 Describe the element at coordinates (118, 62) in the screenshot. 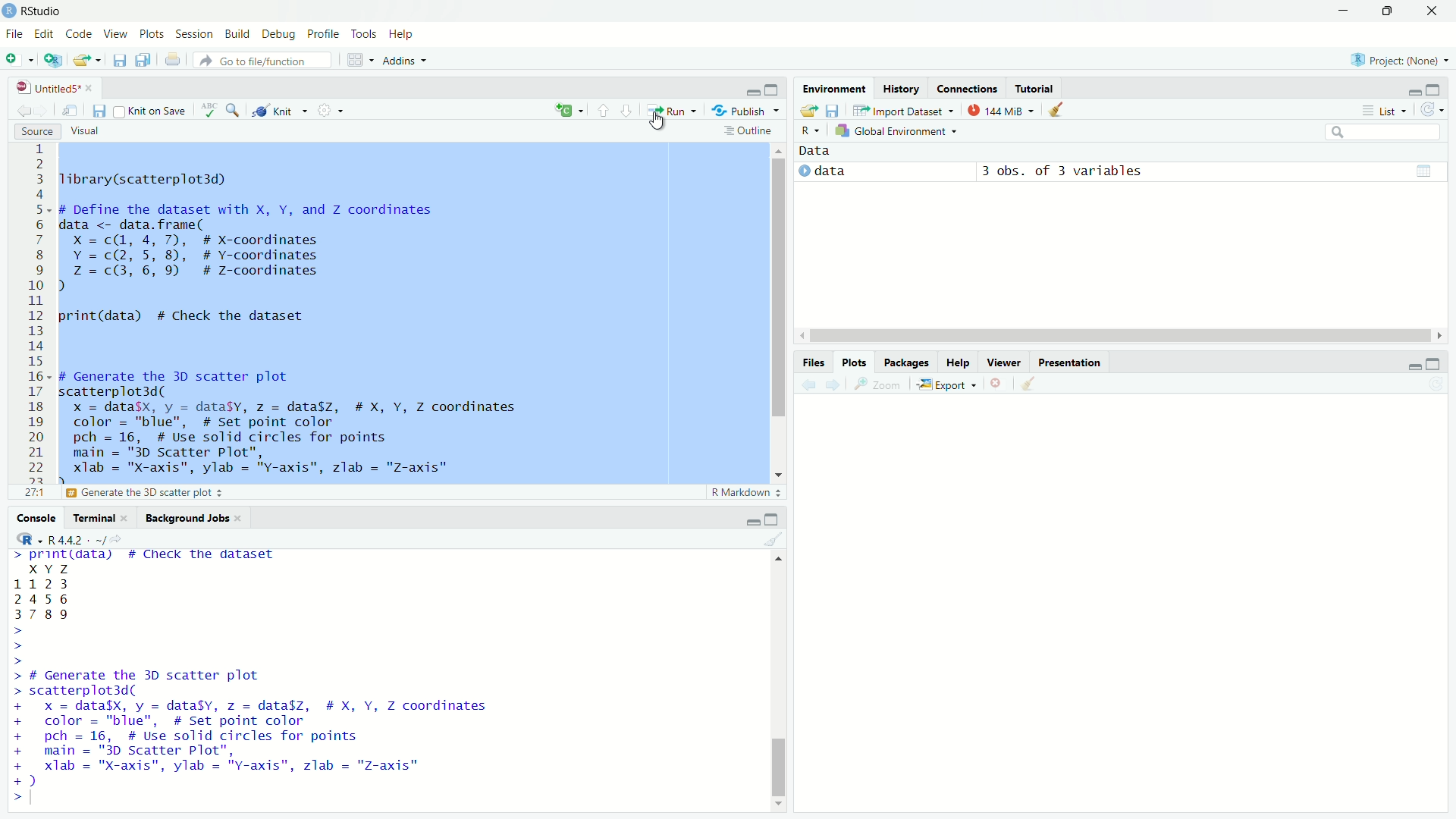

I see `save current document` at that location.